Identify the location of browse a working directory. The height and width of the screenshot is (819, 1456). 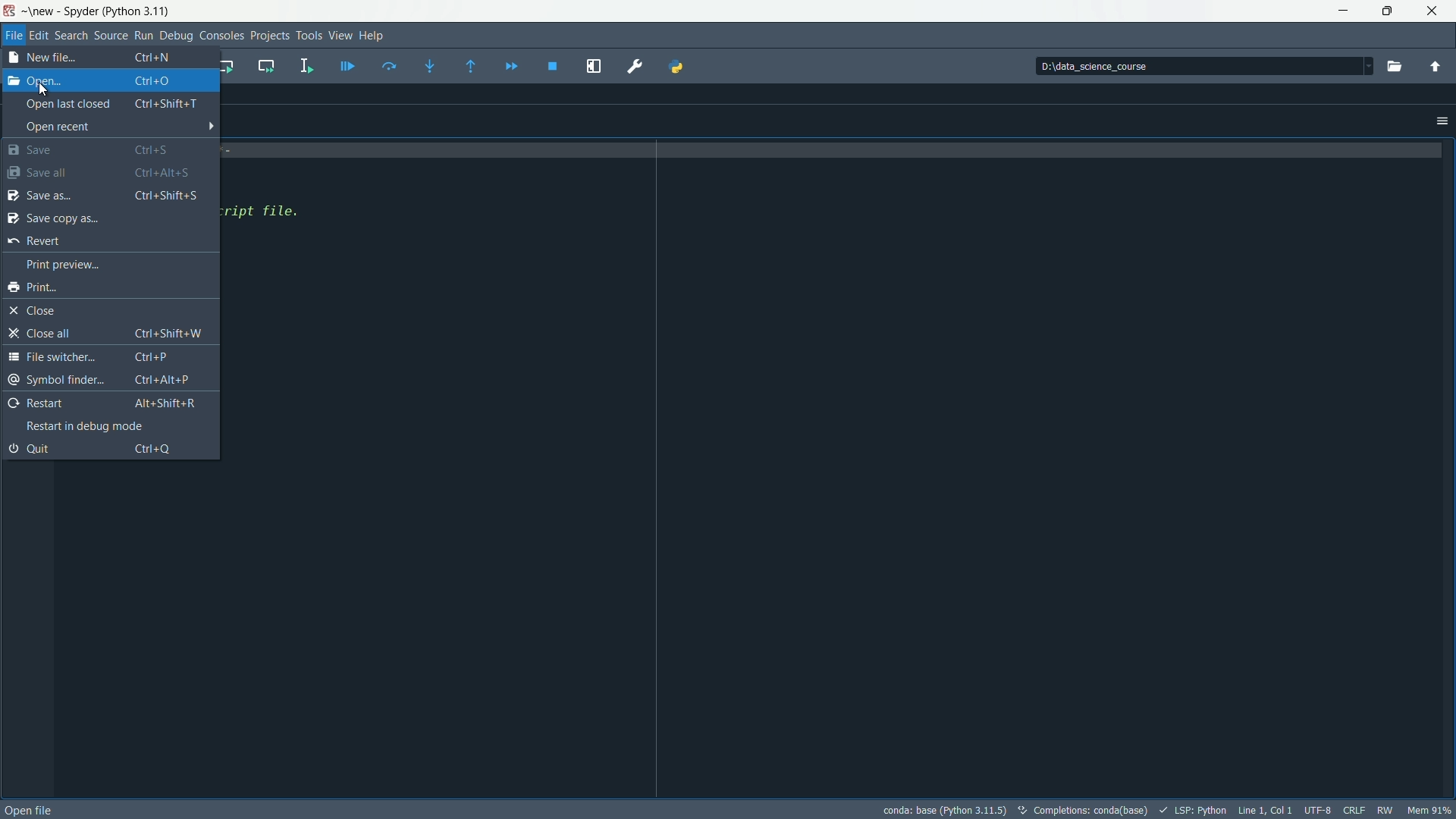
(1392, 65).